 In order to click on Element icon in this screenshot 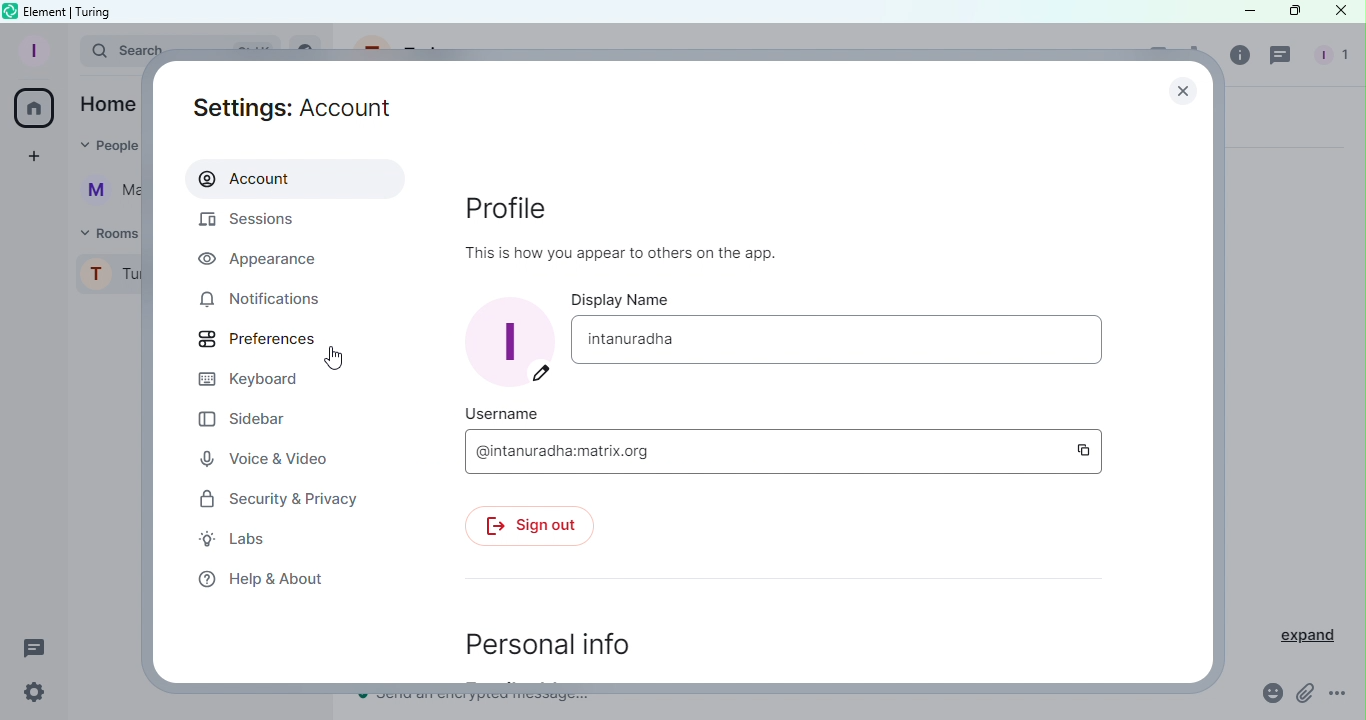, I will do `click(9, 11)`.